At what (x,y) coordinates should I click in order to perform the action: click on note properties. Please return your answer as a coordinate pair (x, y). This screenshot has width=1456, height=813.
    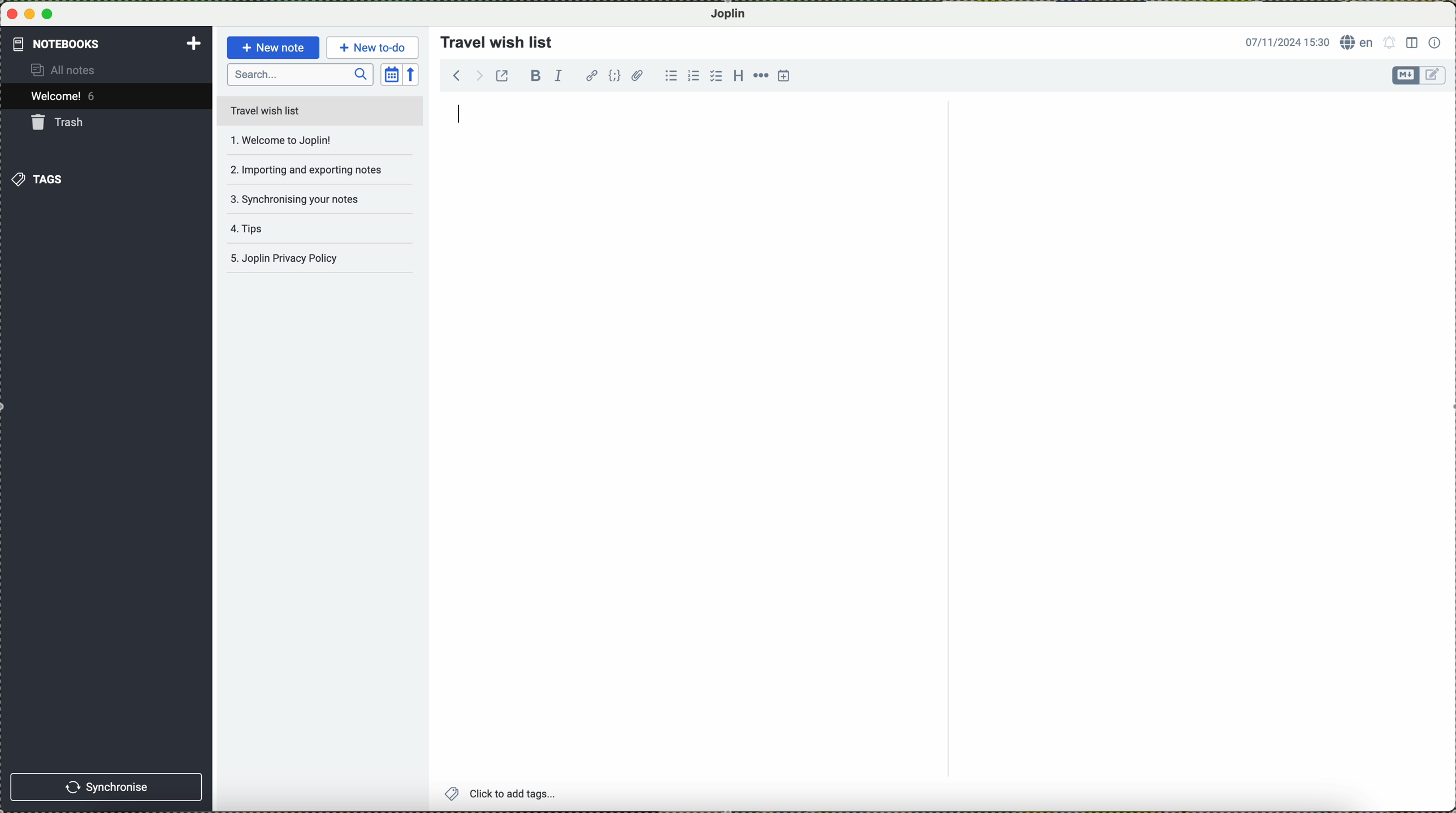
    Looking at the image, I should click on (1435, 41).